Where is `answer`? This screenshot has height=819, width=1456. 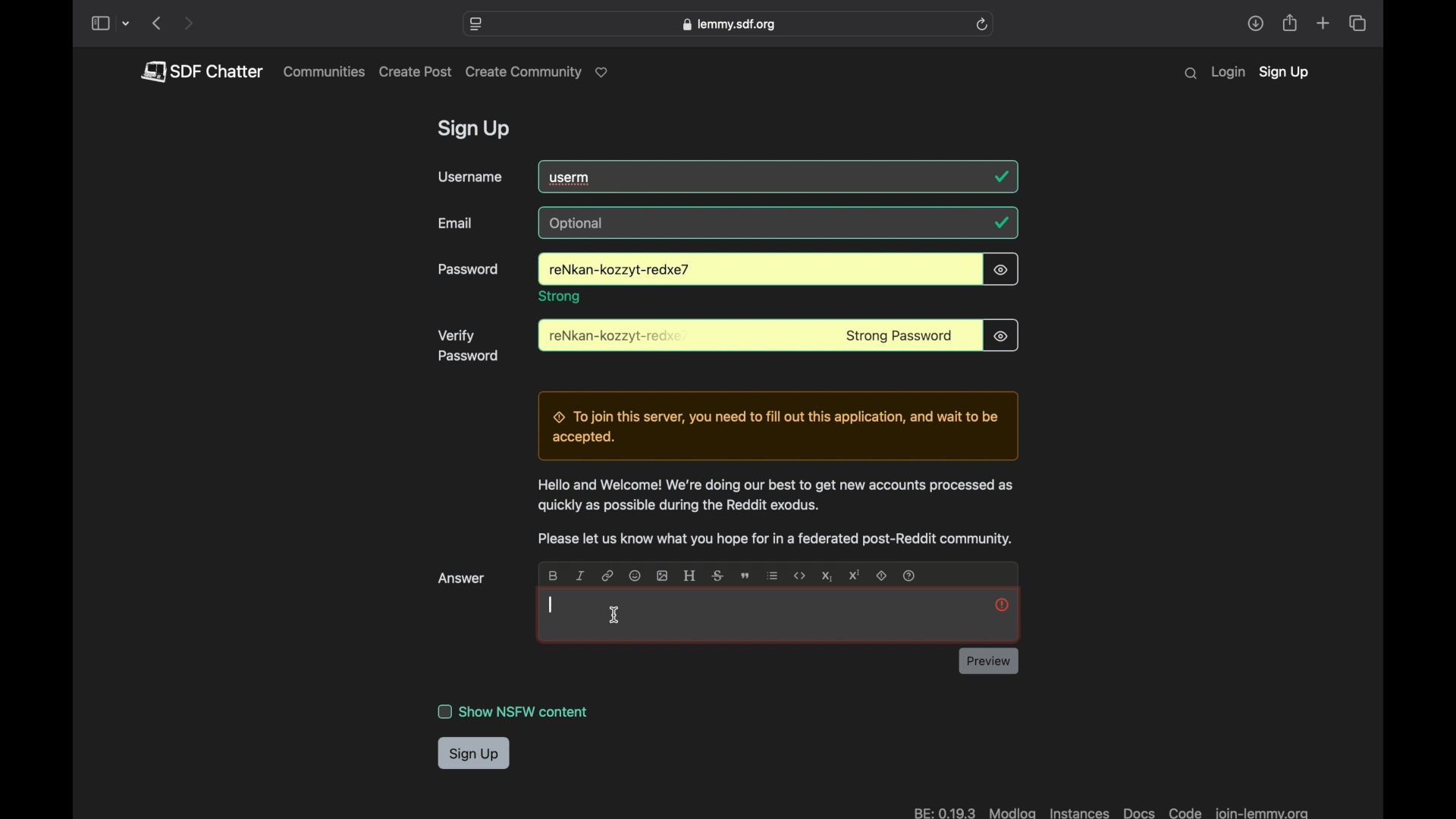 answer is located at coordinates (463, 579).